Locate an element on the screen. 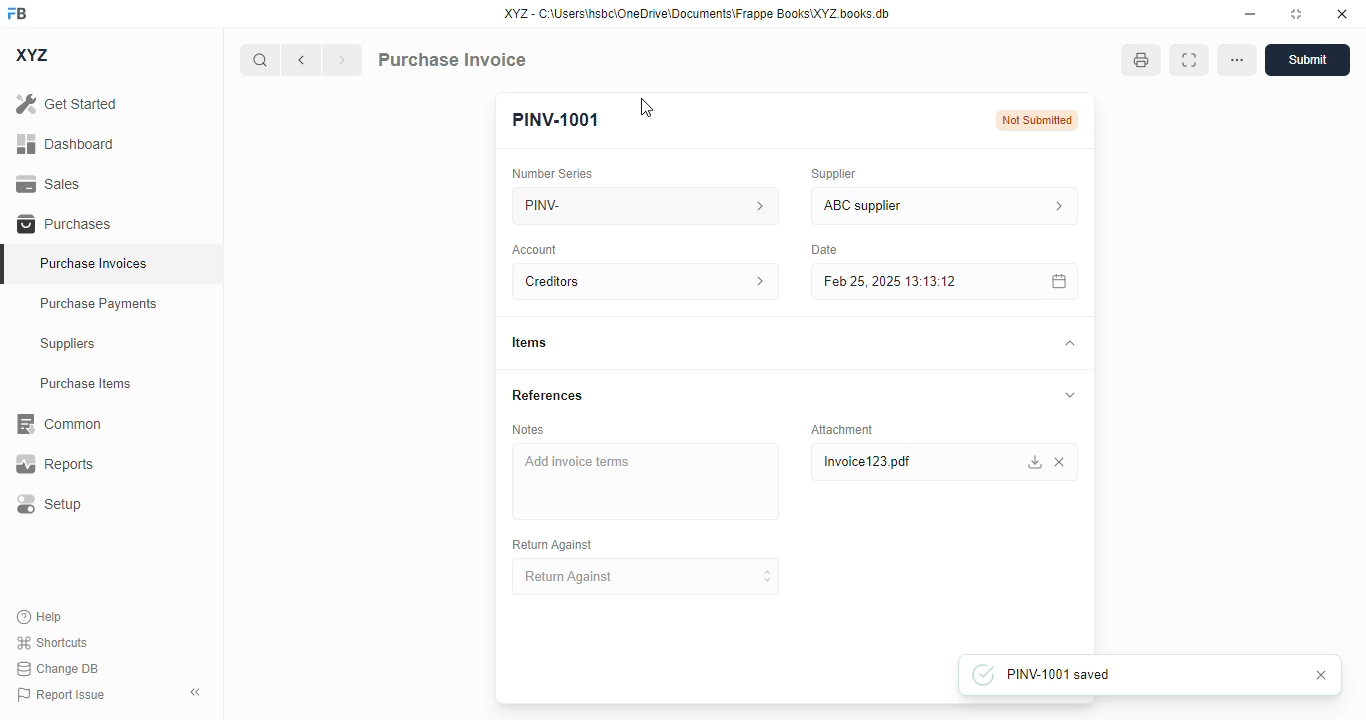 Image resolution: width=1366 pixels, height=720 pixels. PINV-1001 is located at coordinates (556, 120).